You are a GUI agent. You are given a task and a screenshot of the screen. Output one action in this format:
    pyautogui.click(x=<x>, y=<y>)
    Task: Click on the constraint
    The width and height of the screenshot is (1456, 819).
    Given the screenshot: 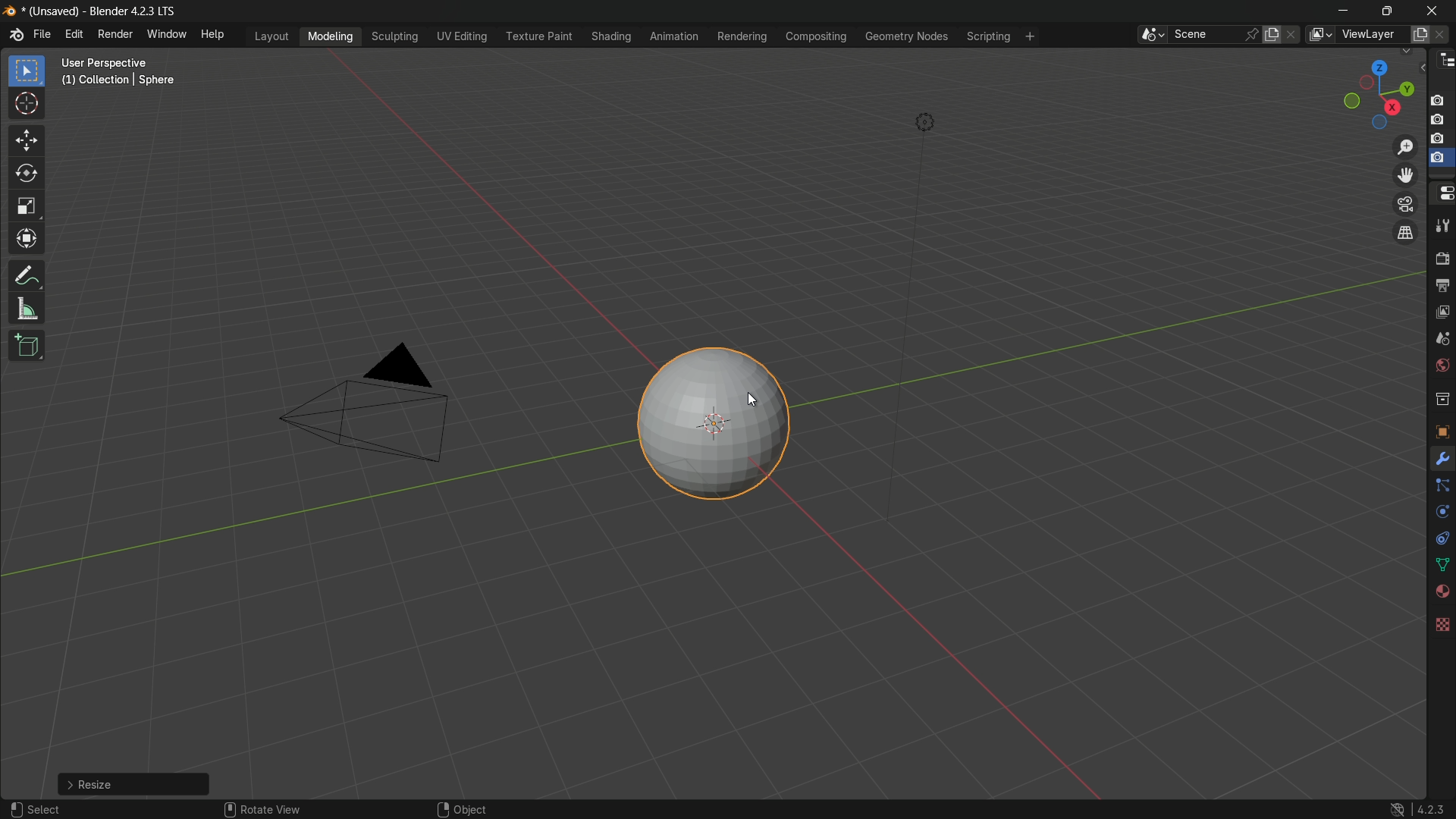 What is the action you would take?
    pyautogui.click(x=1441, y=538)
    